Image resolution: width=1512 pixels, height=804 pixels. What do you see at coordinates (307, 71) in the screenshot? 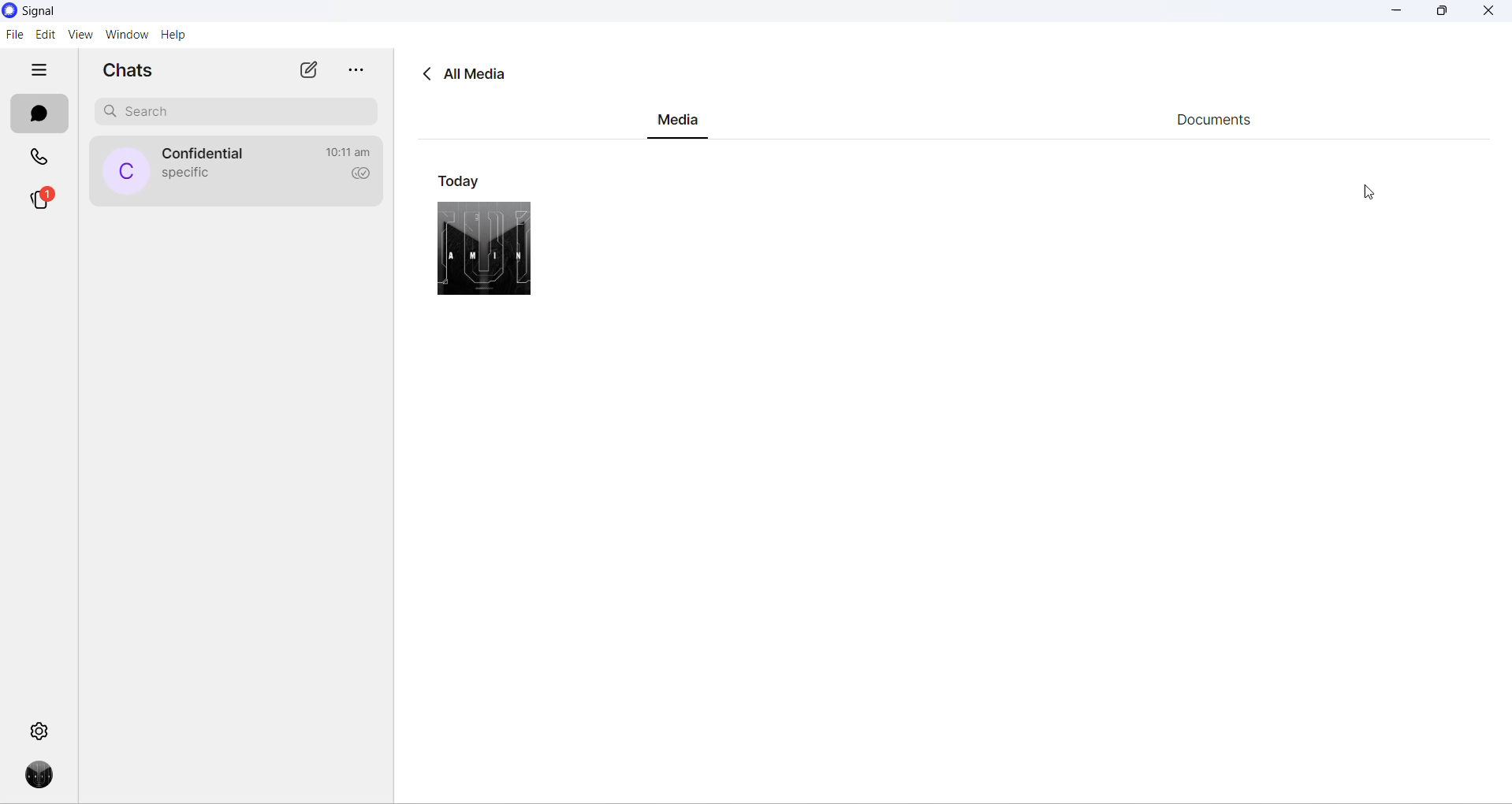
I see `new chat` at bounding box center [307, 71].